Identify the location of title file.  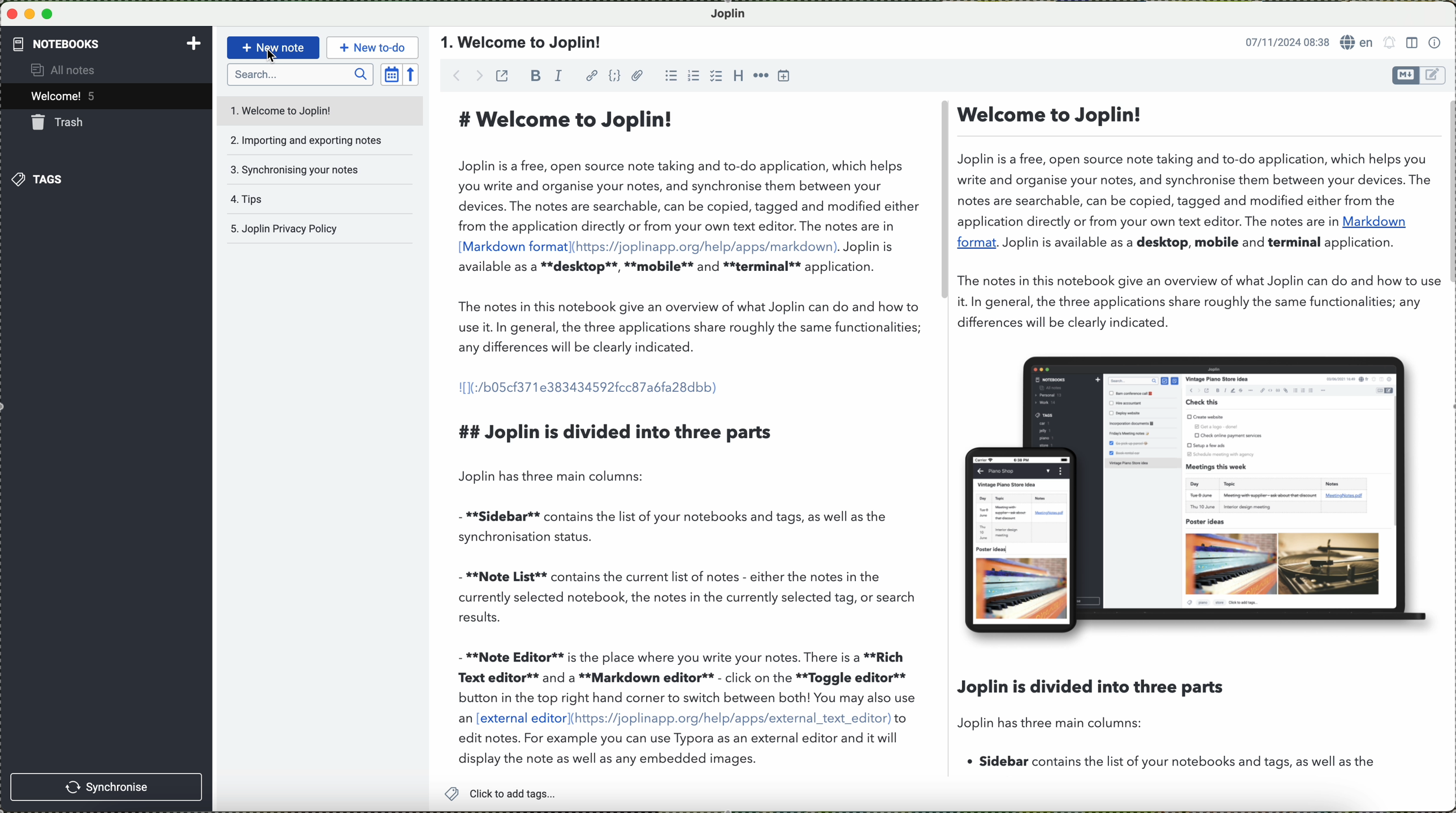
(523, 43).